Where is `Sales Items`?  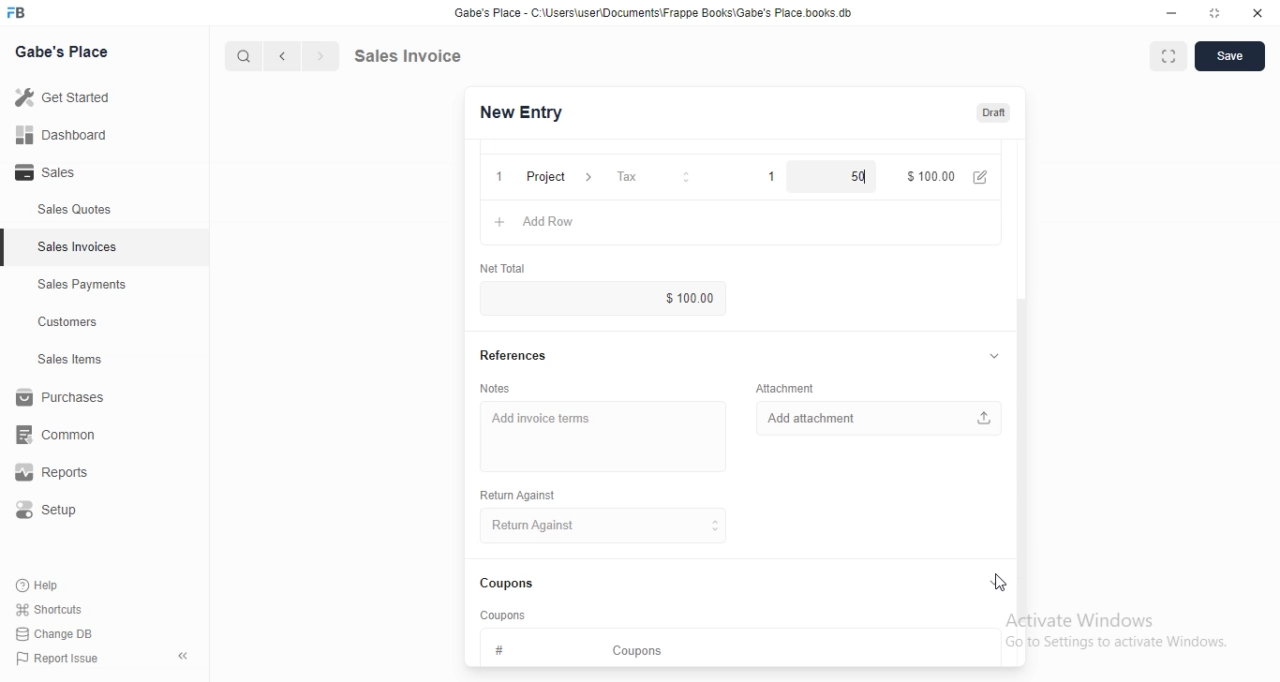
Sales Items is located at coordinates (61, 360).